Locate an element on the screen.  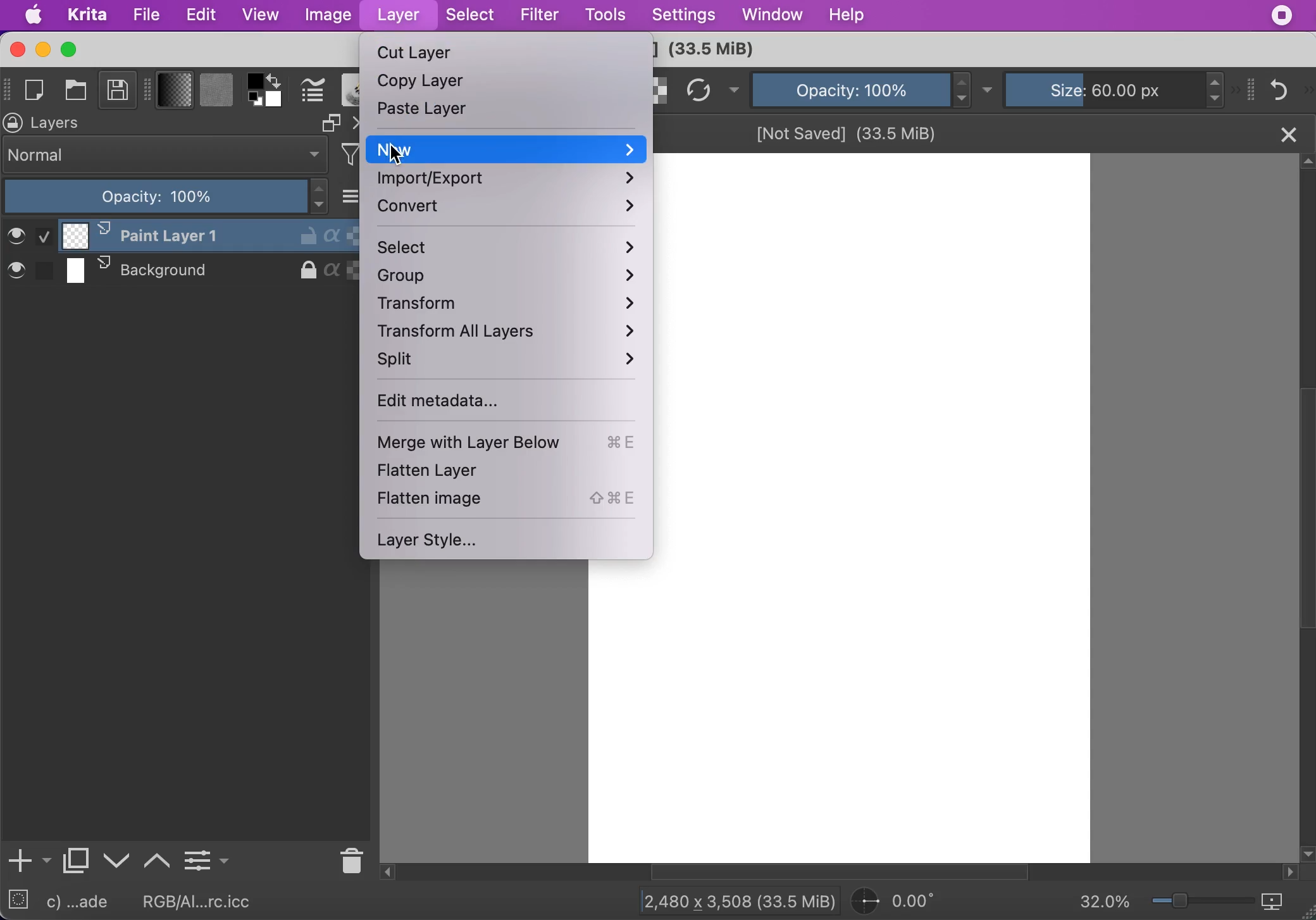
krita is located at coordinates (89, 16).